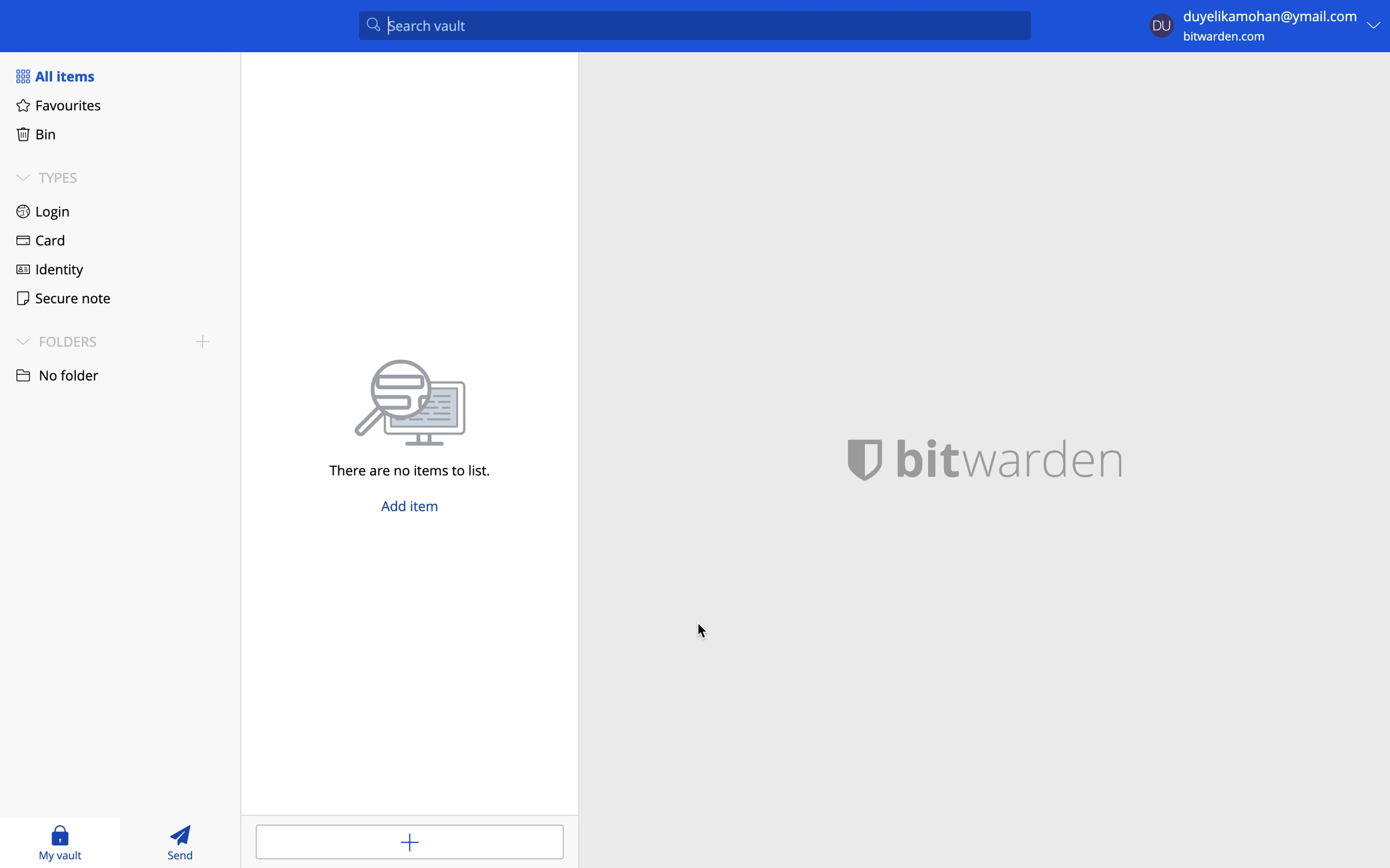 The width and height of the screenshot is (1390, 868). Describe the element at coordinates (62, 375) in the screenshot. I see `no folder` at that location.